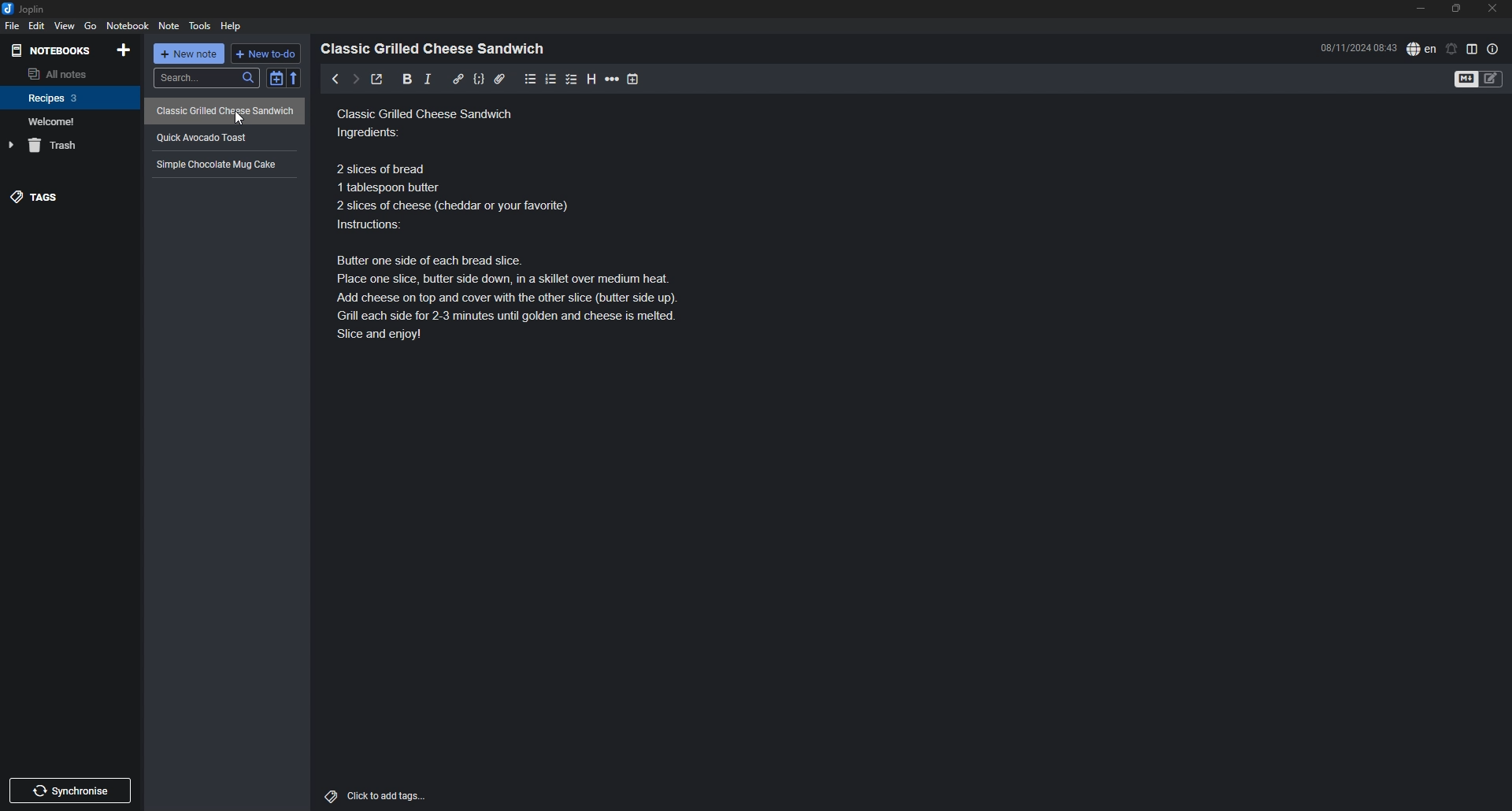  Describe the element at coordinates (1494, 8) in the screenshot. I see `close` at that location.